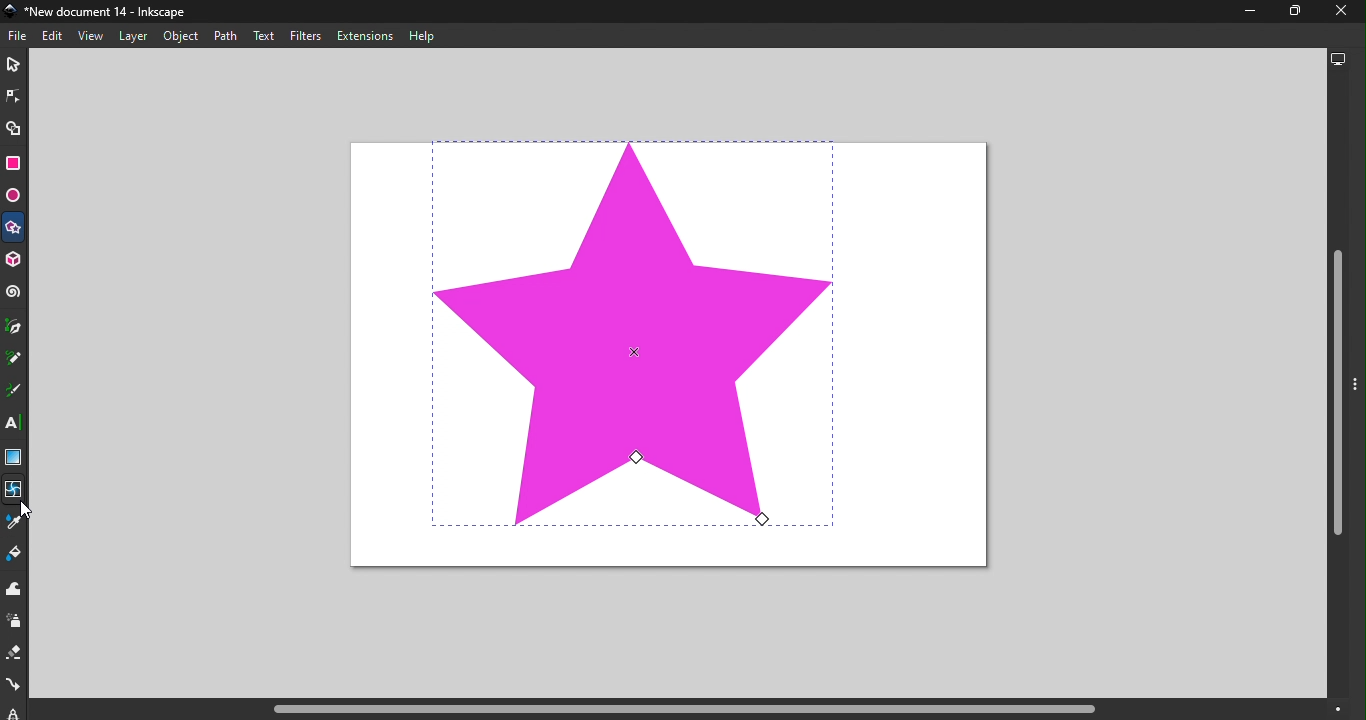  Describe the element at coordinates (20, 36) in the screenshot. I see `File` at that location.